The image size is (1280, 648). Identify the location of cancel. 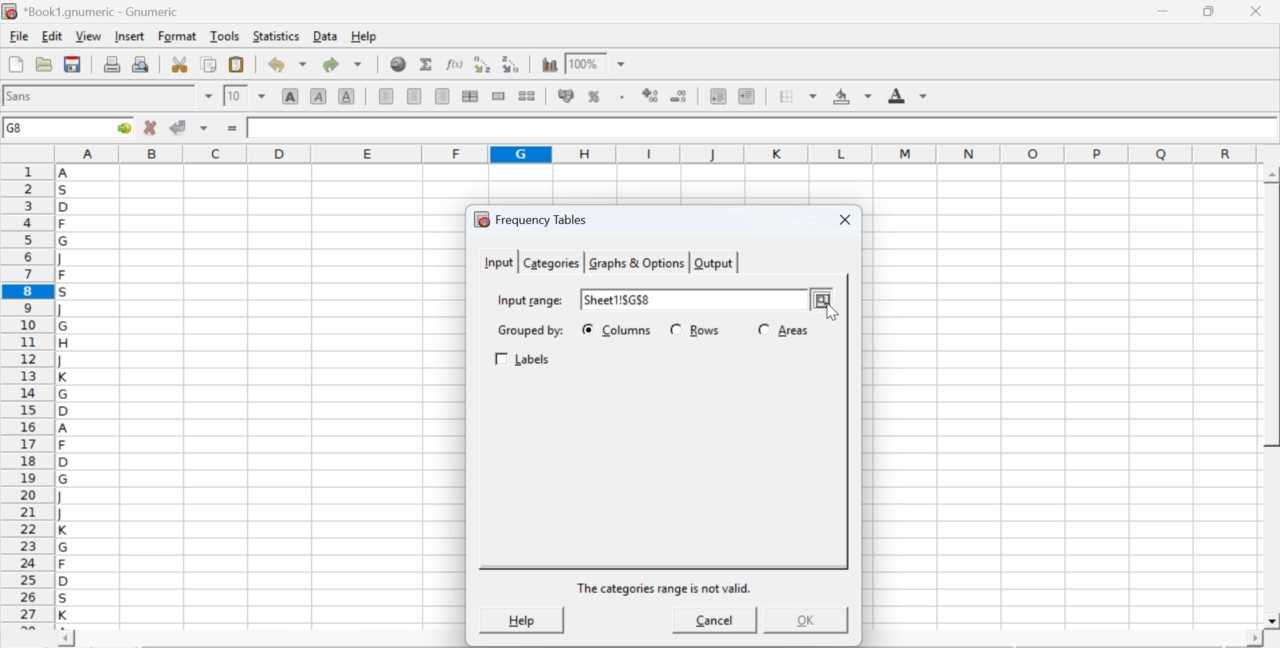
(715, 623).